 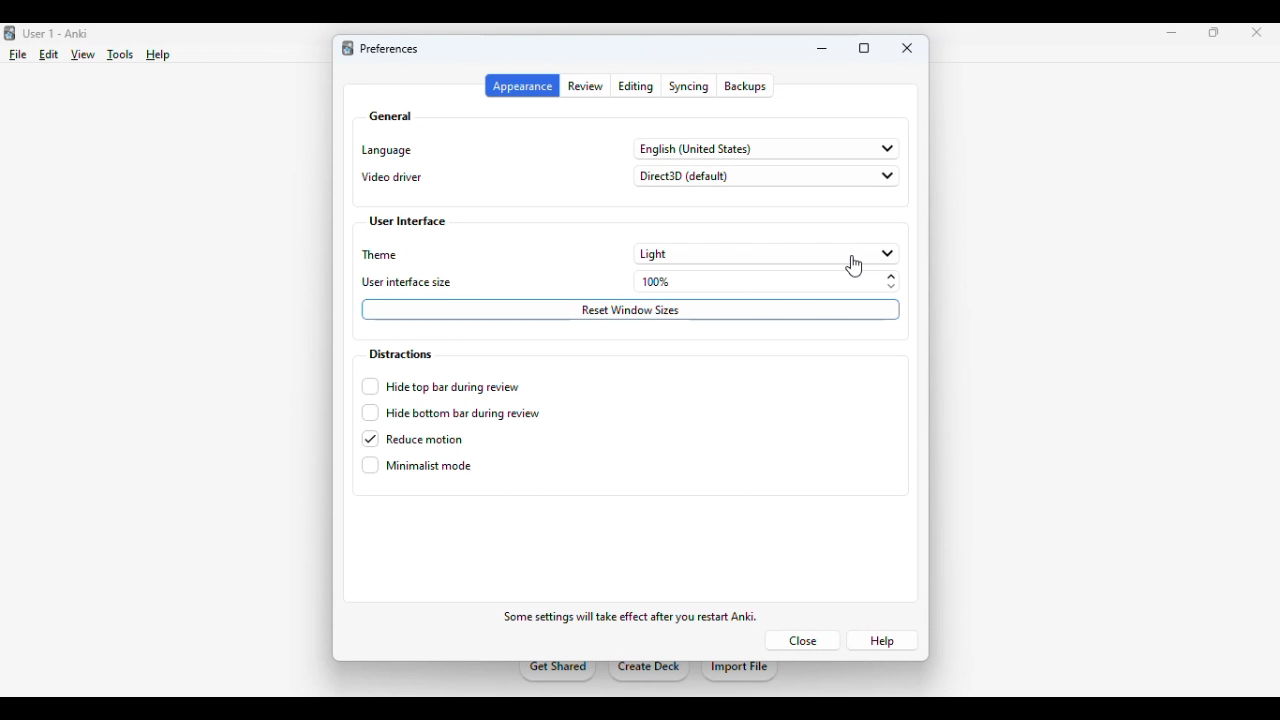 What do you see at coordinates (392, 177) in the screenshot?
I see `video driver` at bounding box center [392, 177].